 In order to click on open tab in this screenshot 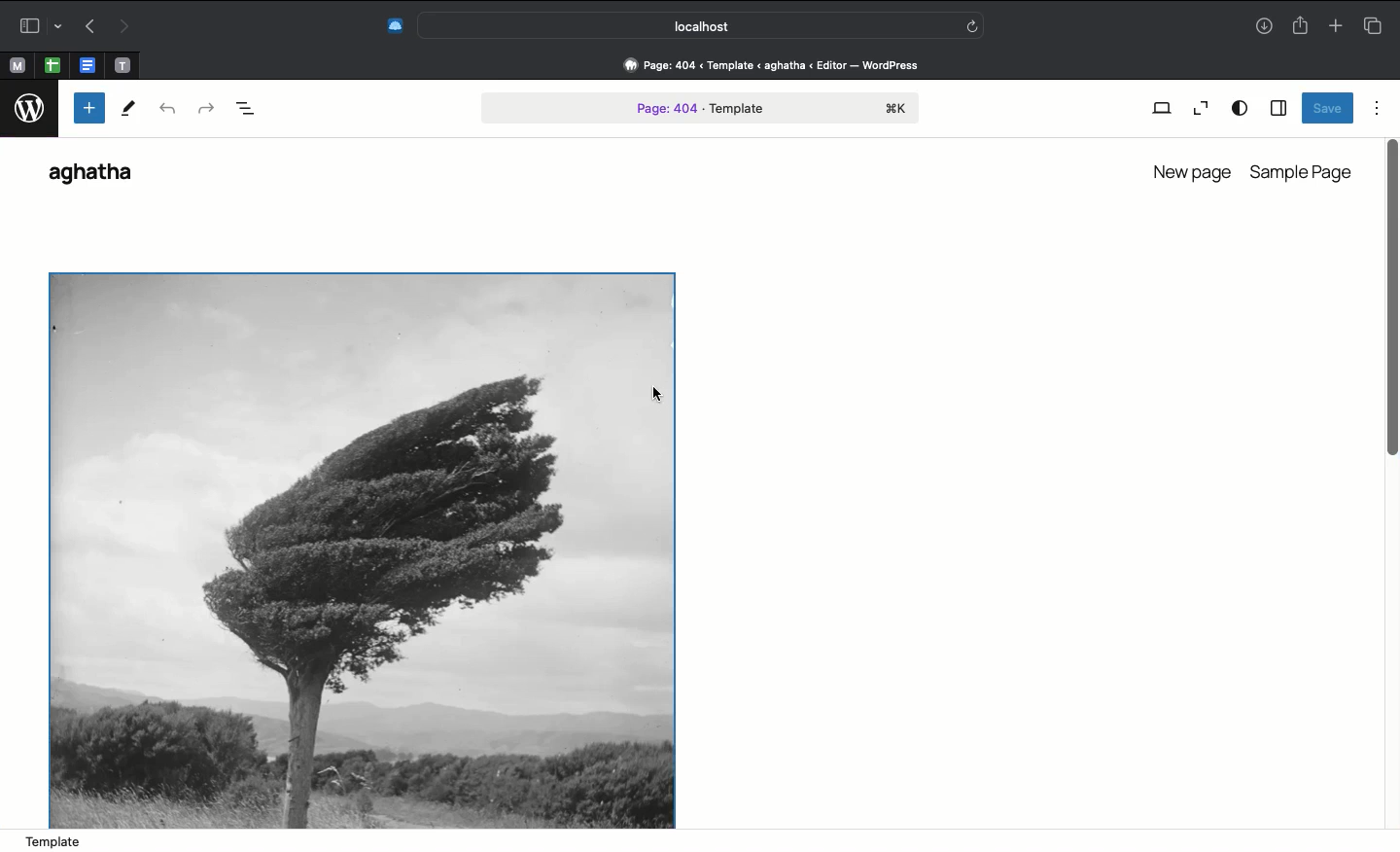, I will do `click(122, 66)`.